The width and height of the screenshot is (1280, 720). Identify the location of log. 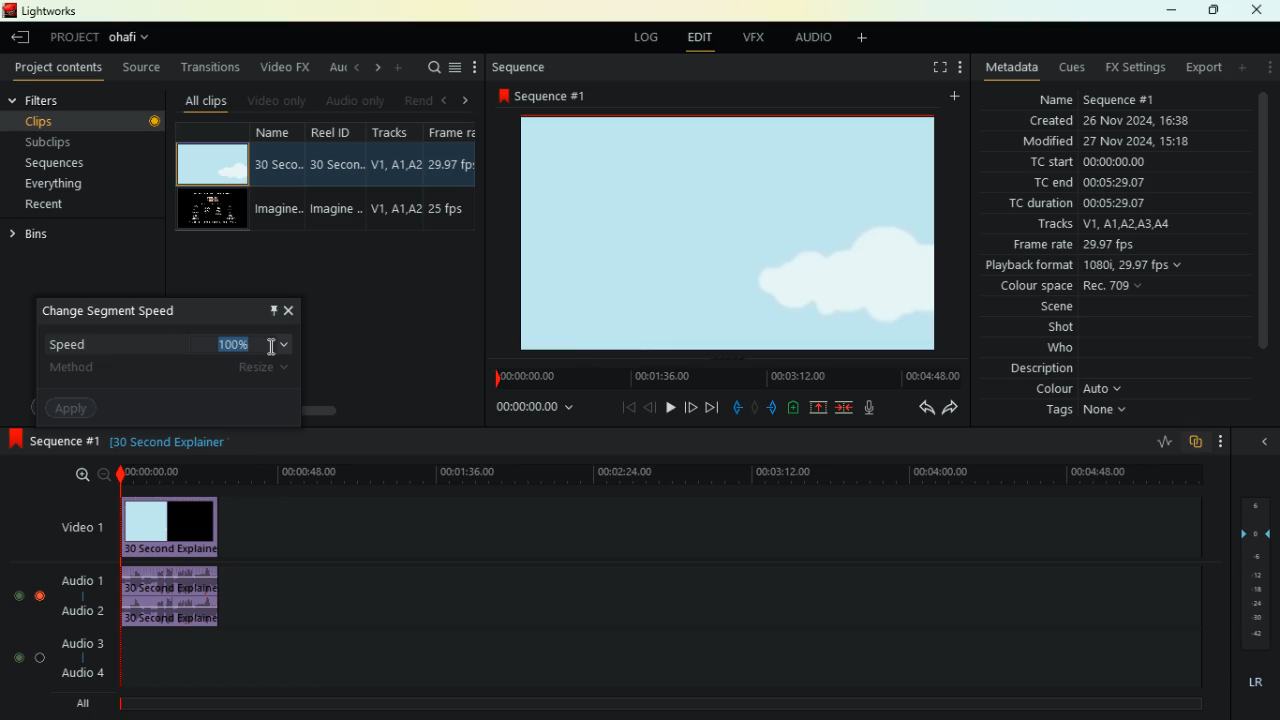
(649, 38).